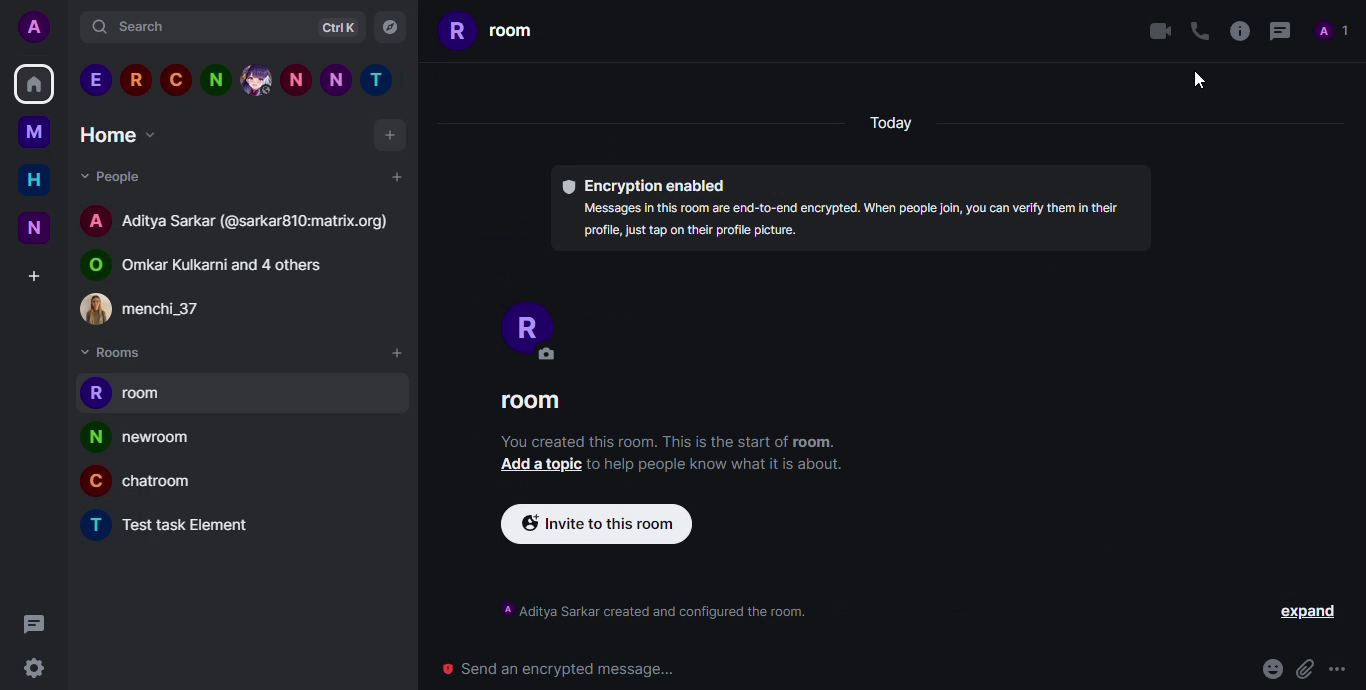 The image size is (1366, 690). What do you see at coordinates (530, 404) in the screenshot?
I see `room` at bounding box center [530, 404].